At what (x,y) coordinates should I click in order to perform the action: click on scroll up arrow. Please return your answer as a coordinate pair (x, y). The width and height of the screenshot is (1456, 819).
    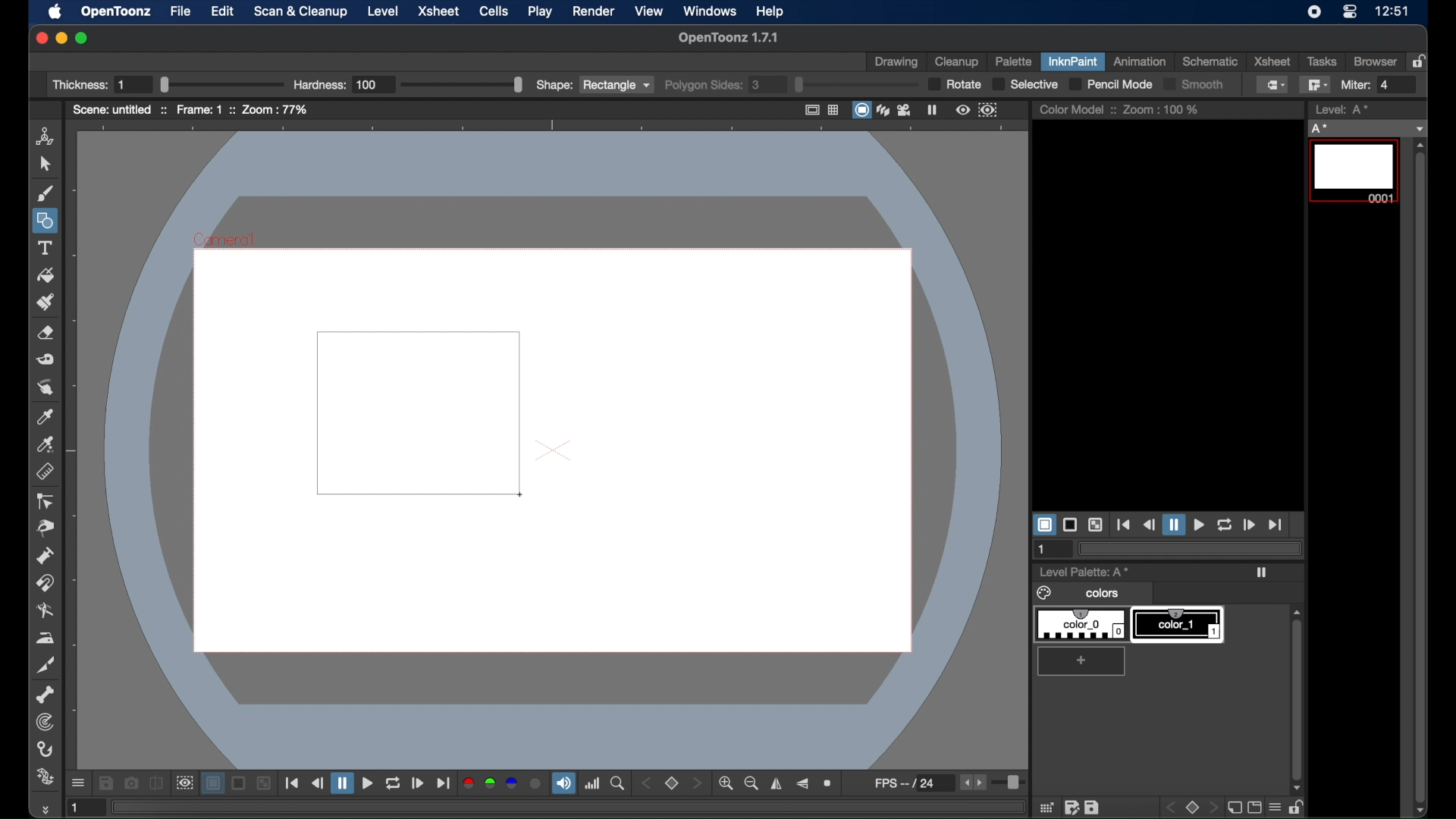
    Looking at the image, I should click on (1420, 145).